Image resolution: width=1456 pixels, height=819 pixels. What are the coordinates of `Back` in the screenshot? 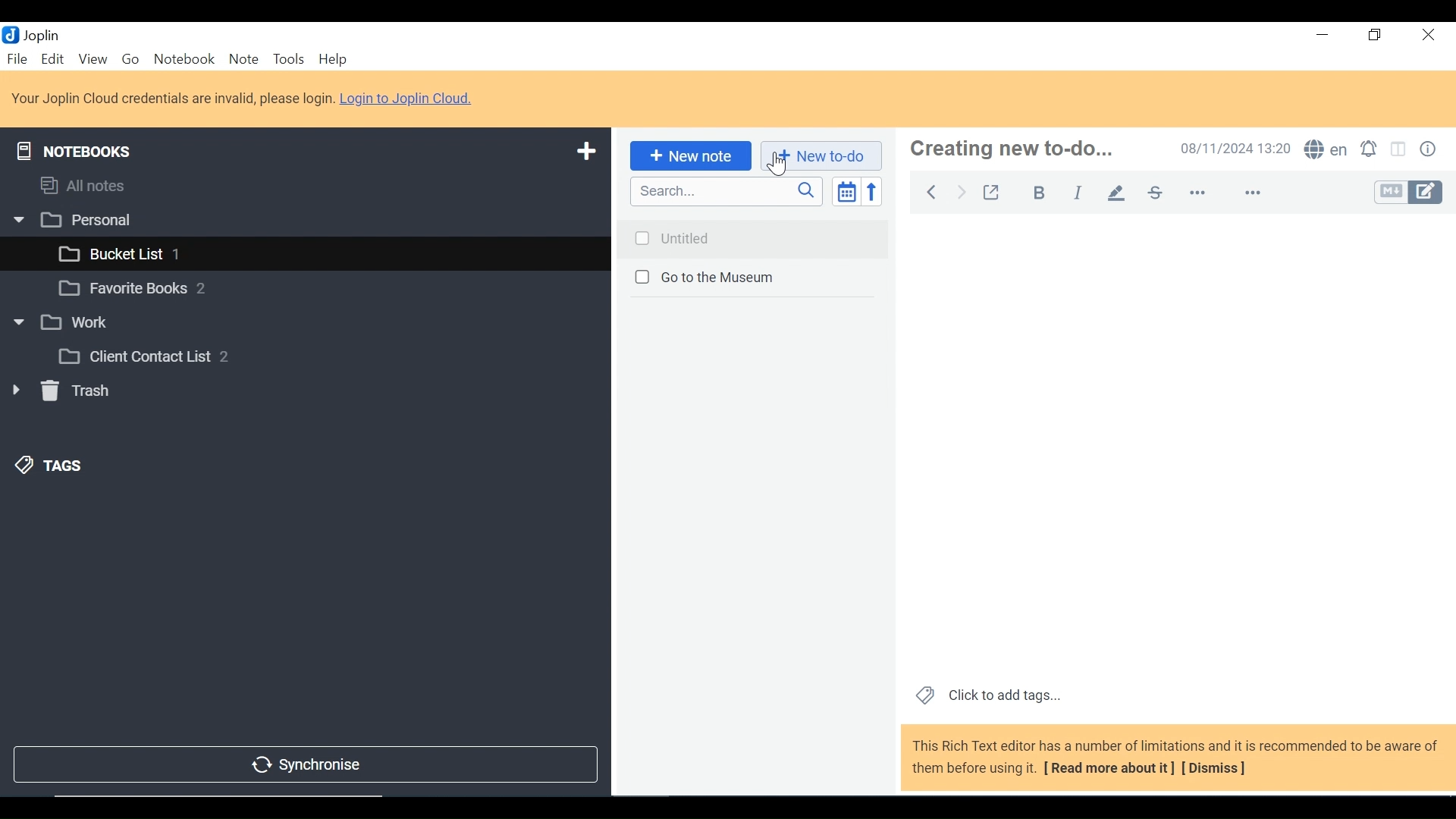 It's located at (927, 190).